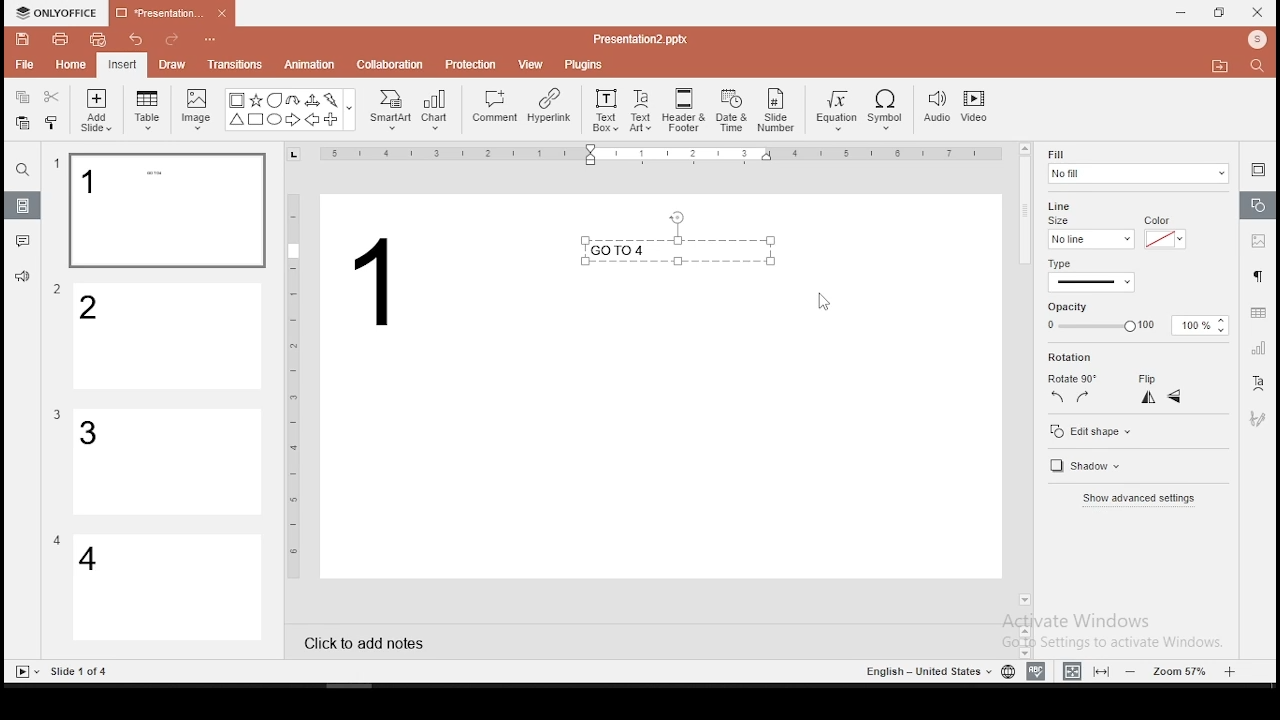 The width and height of the screenshot is (1280, 720). I want to click on , so click(350, 111).